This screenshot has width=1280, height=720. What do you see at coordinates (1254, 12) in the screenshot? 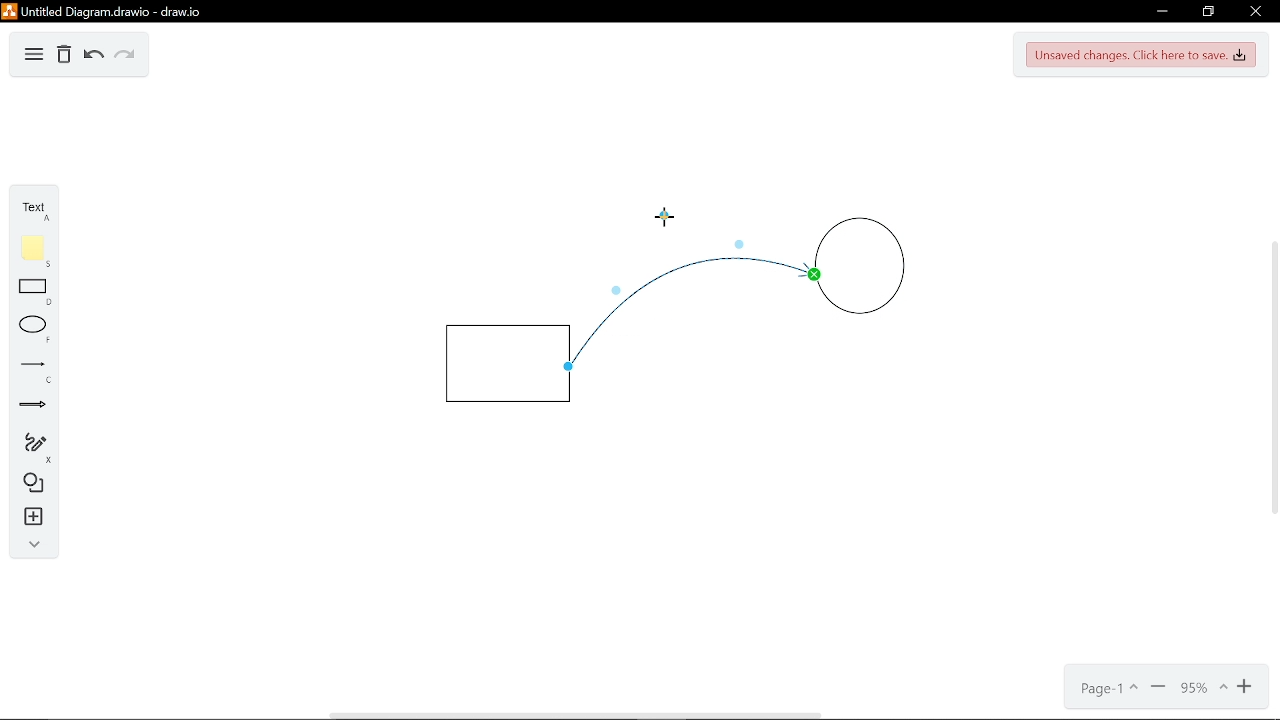
I see `Close` at bounding box center [1254, 12].